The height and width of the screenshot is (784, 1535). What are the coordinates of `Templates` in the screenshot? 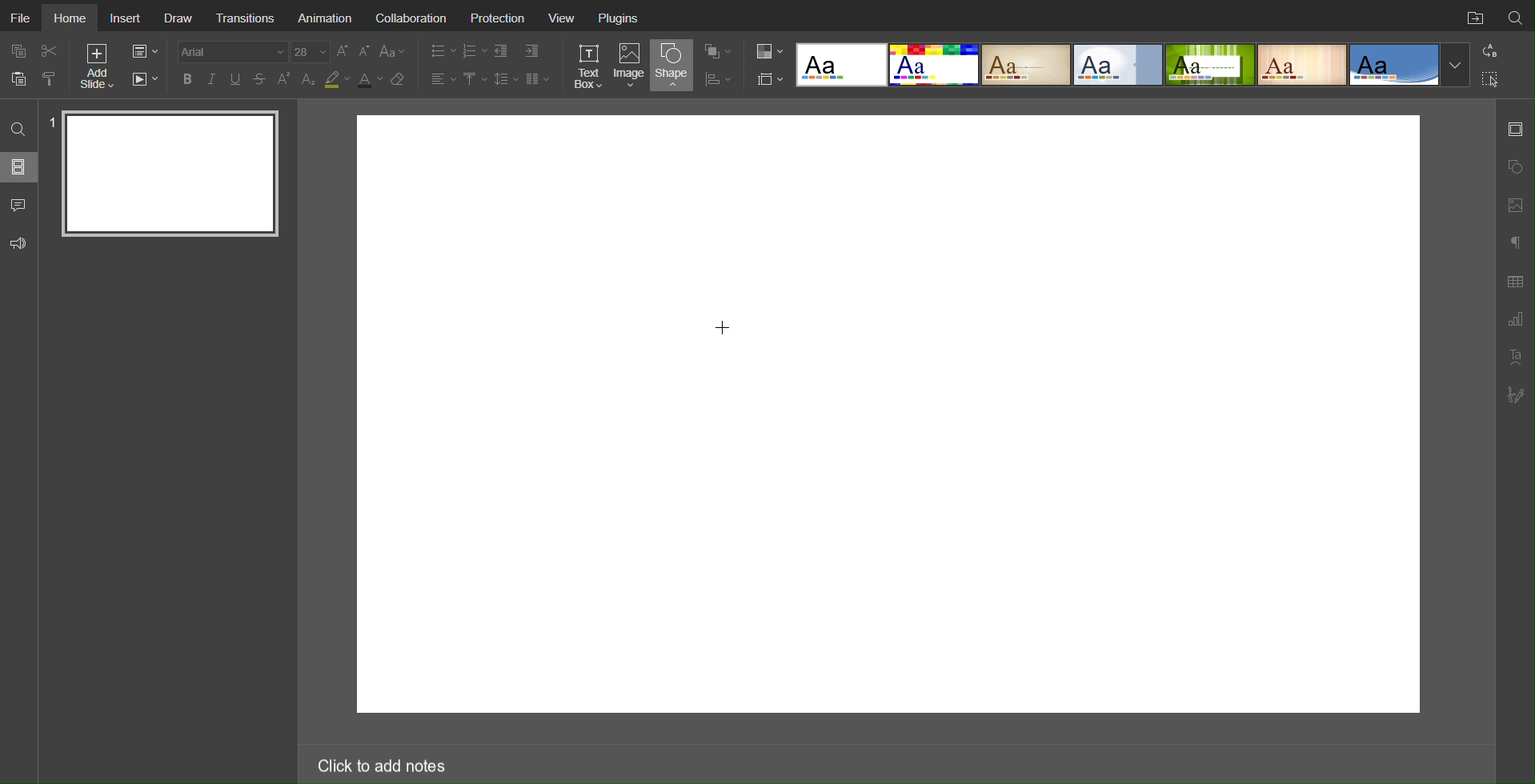 It's located at (1133, 64).